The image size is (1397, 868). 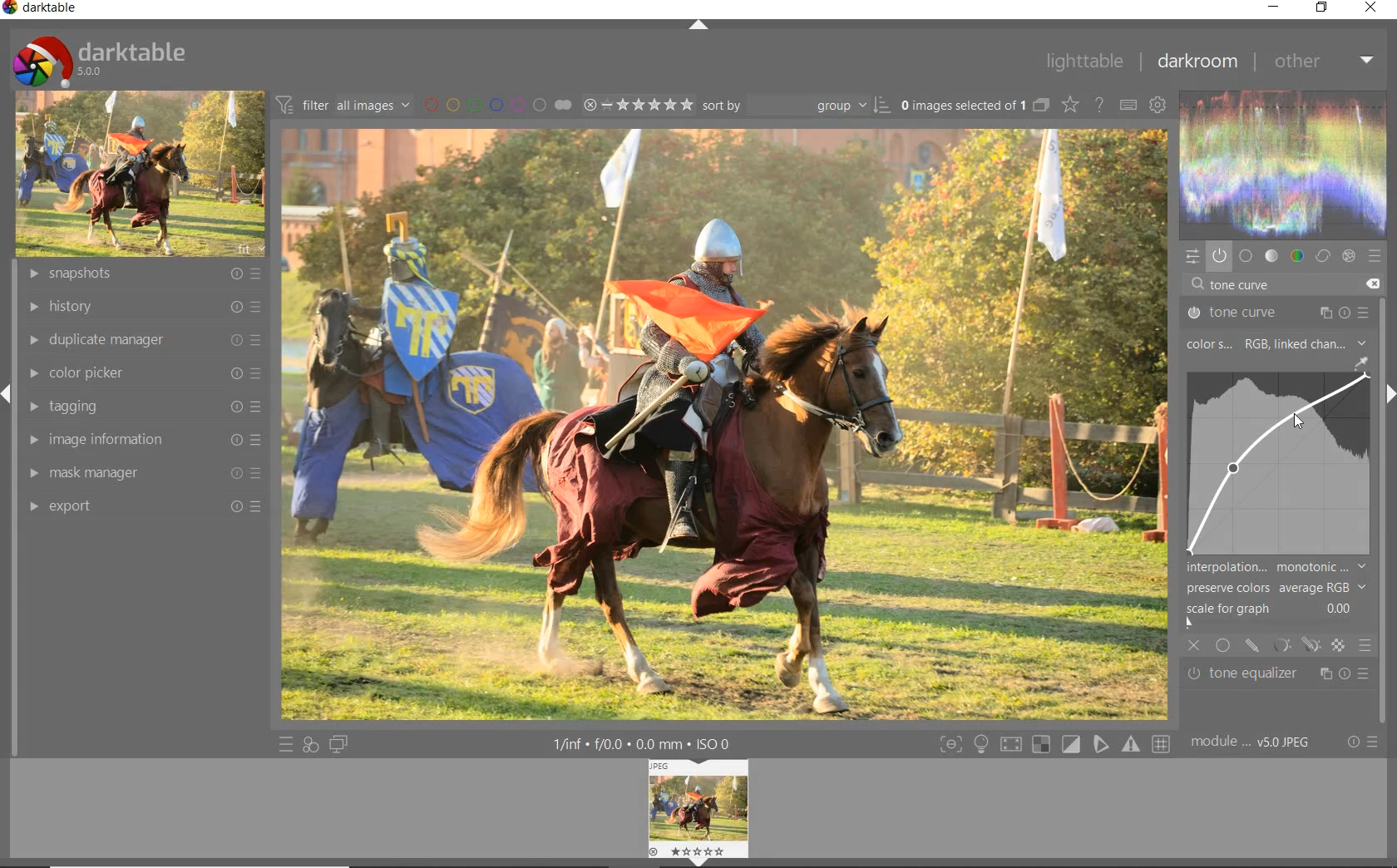 What do you see at coordinates (141, 407) in the screenshot?
I see `tagging` at bounding box center [141, 407].